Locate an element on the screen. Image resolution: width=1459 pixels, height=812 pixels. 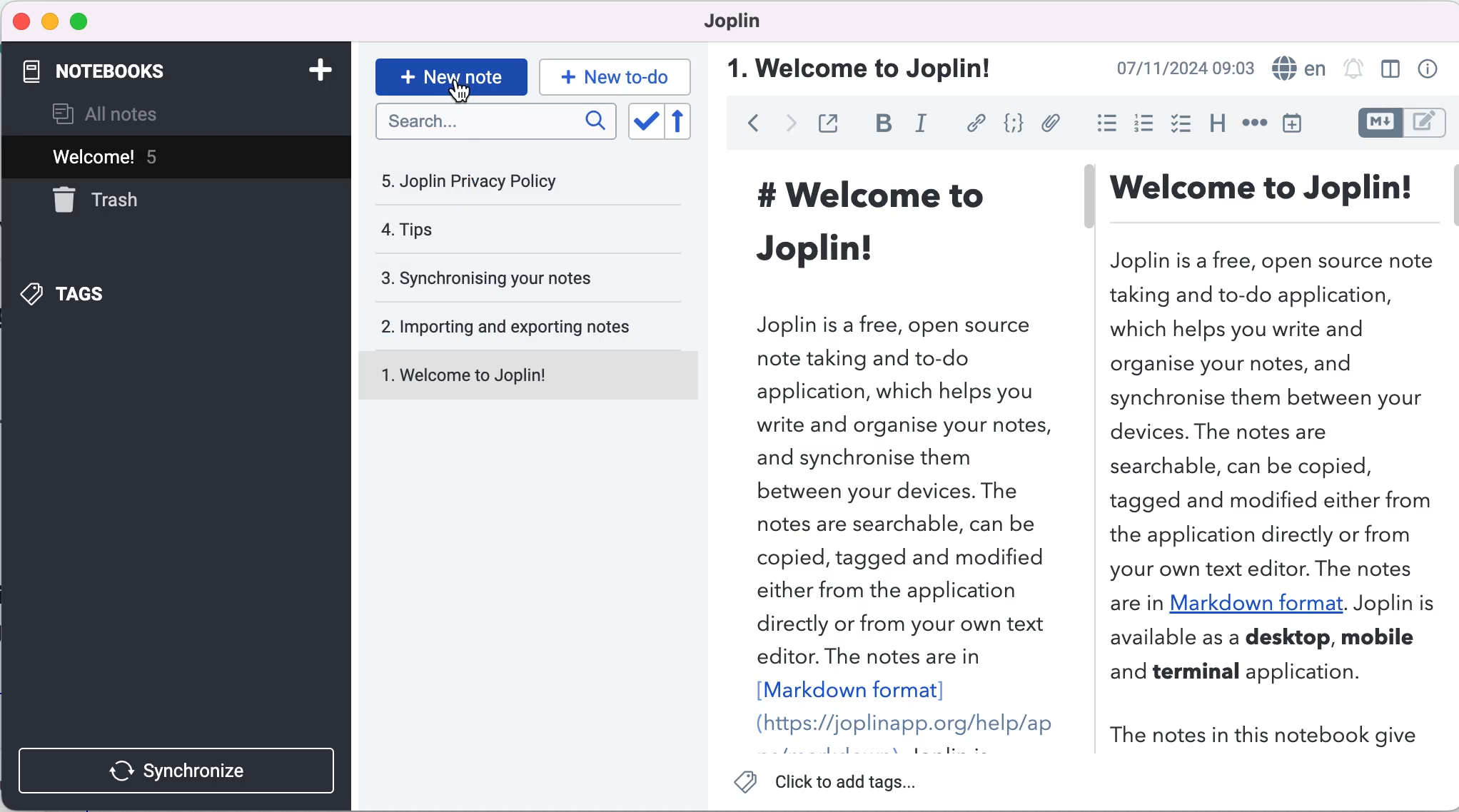
search bar is located at coordinates (493, 123).